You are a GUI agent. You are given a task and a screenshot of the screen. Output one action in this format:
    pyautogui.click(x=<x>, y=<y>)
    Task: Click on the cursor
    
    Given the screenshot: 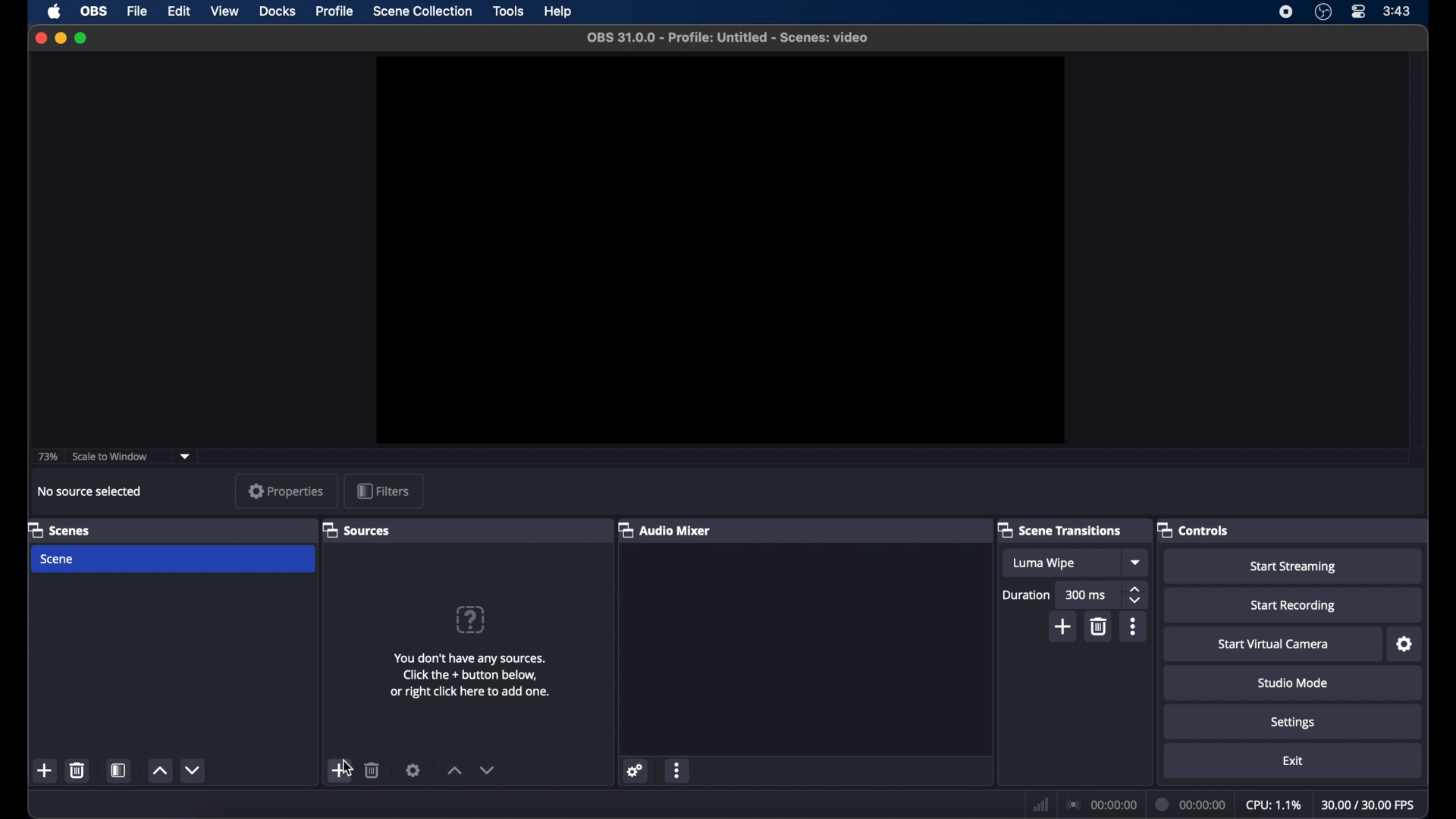 What is the action you would take?
    pyautogui.click(x=349, y=768)
    